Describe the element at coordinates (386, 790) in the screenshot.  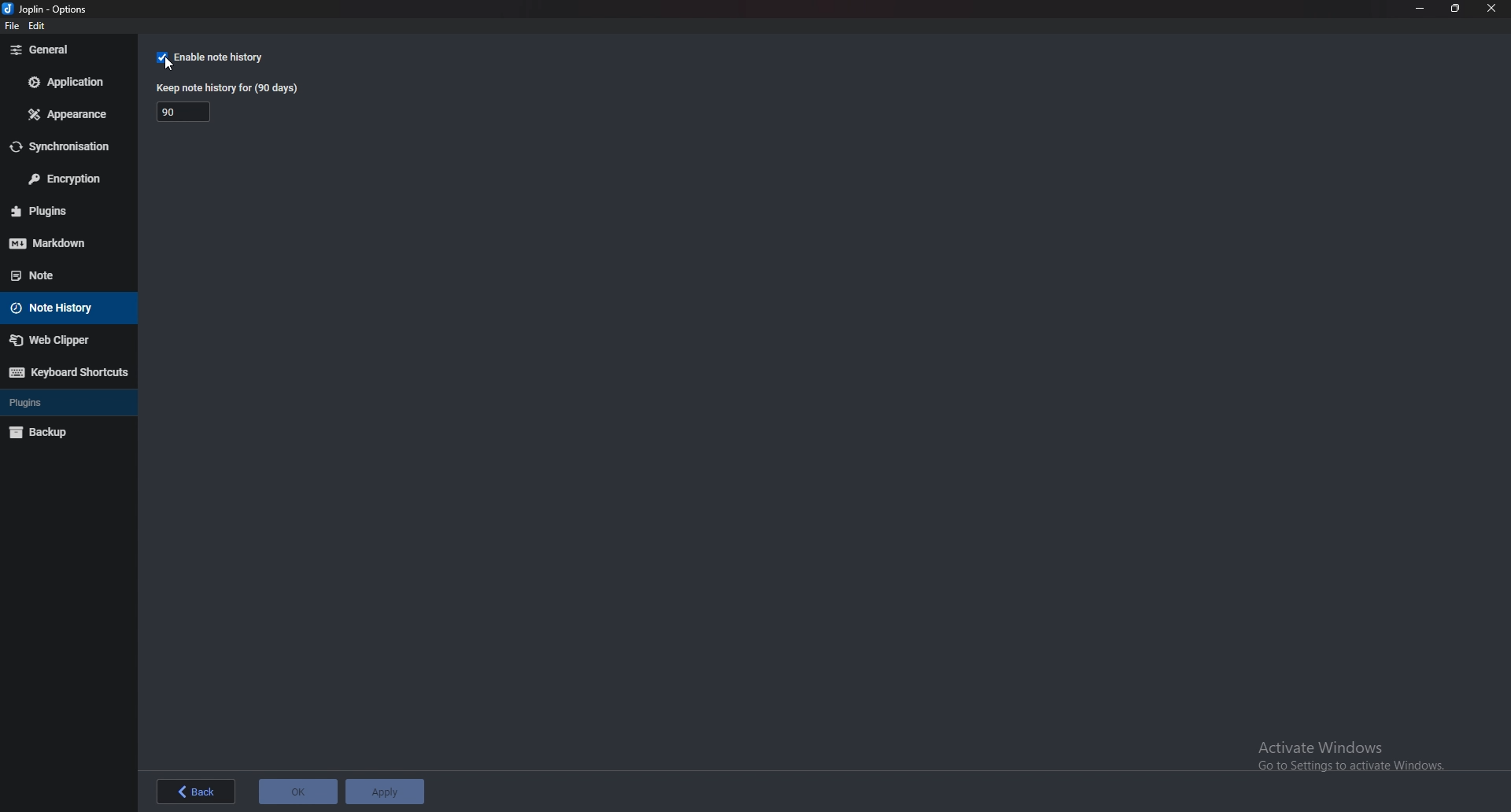
I see `apply` at that location.